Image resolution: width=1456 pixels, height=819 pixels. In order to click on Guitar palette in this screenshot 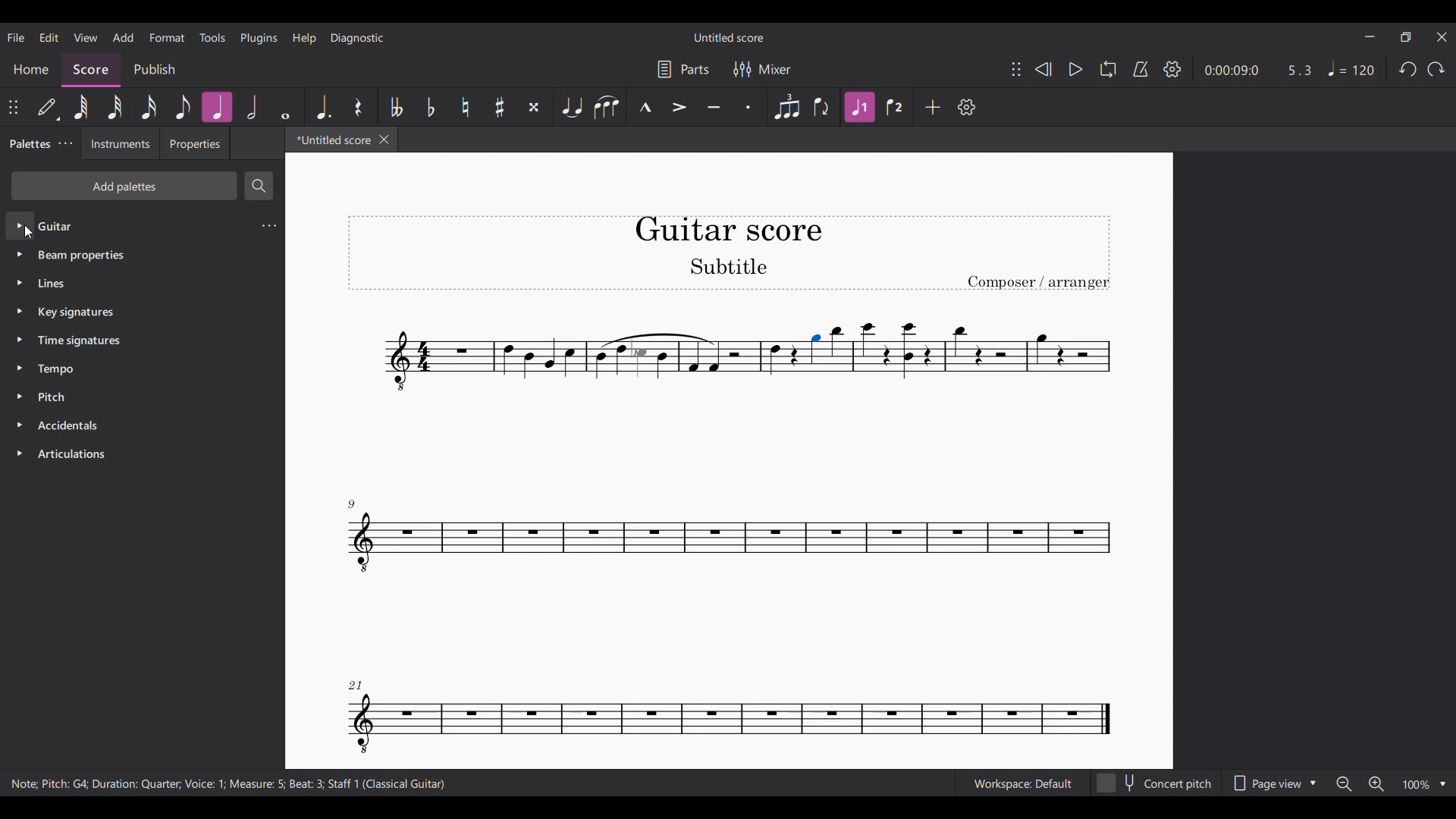, I will do `click(55, 226)`.